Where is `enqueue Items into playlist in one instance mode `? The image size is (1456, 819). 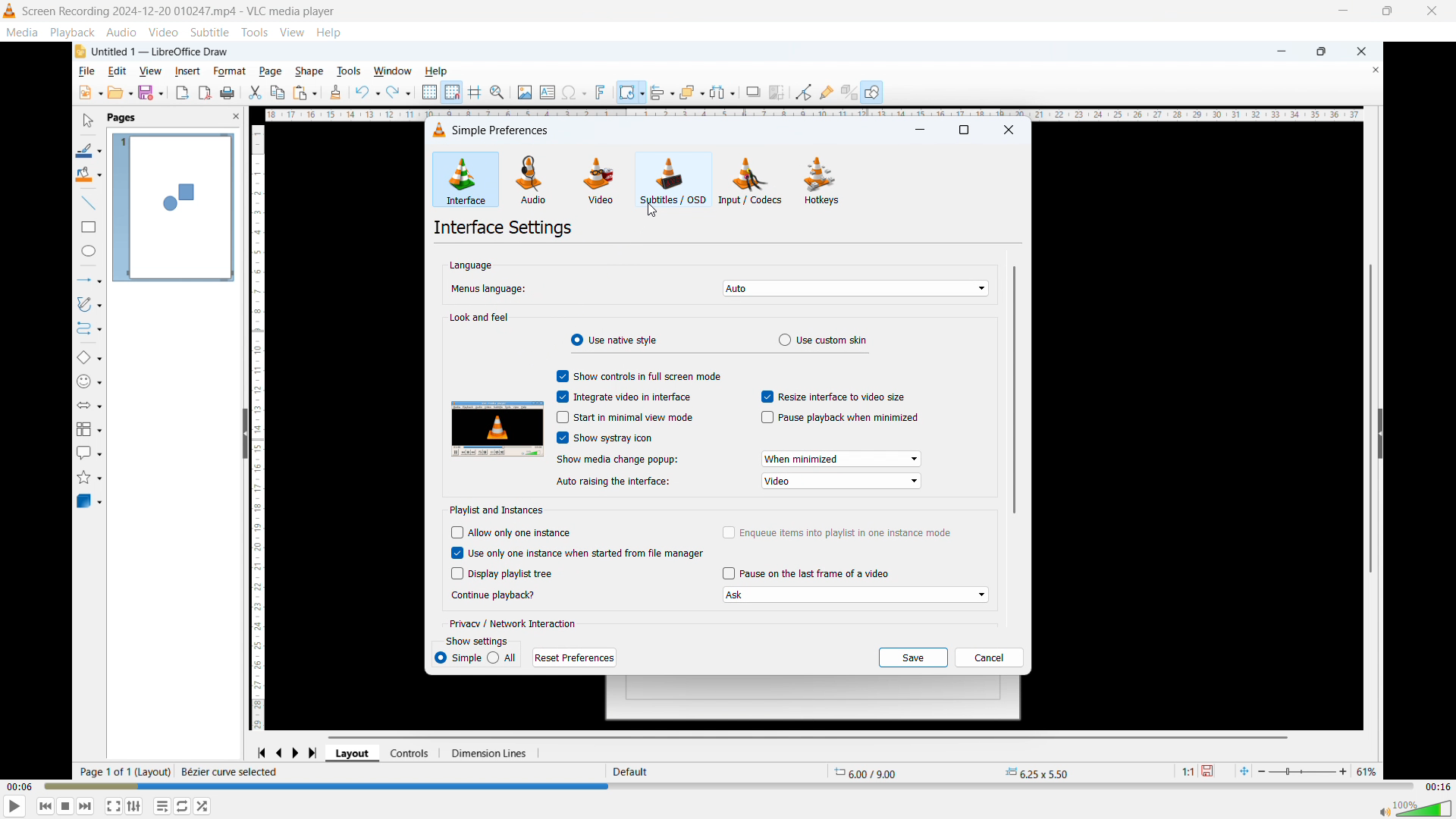
enqueue Items into playlist in one instance mode  is located at coordinates (837, 532).